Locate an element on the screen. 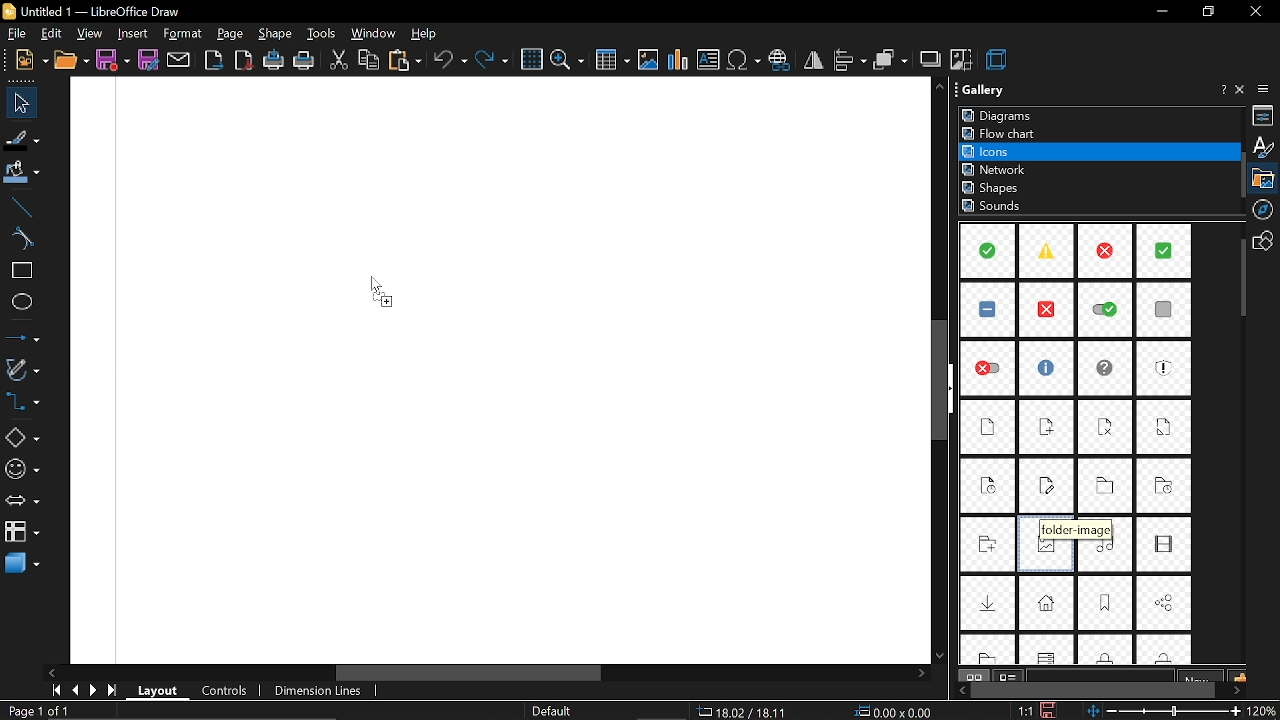  scroll right is located at coordinates (915, 676).